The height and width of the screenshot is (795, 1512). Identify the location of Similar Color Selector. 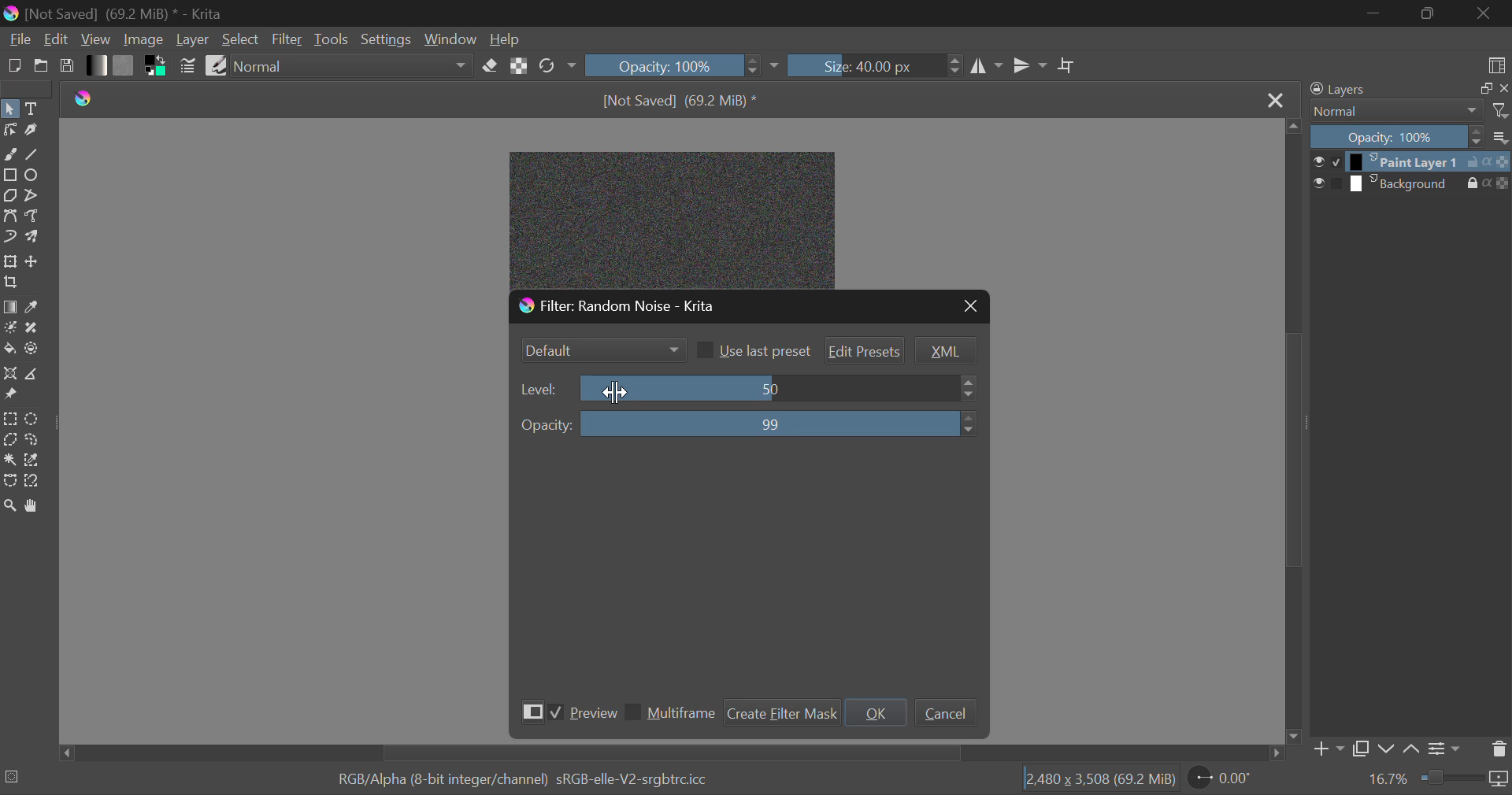
(34, 462).